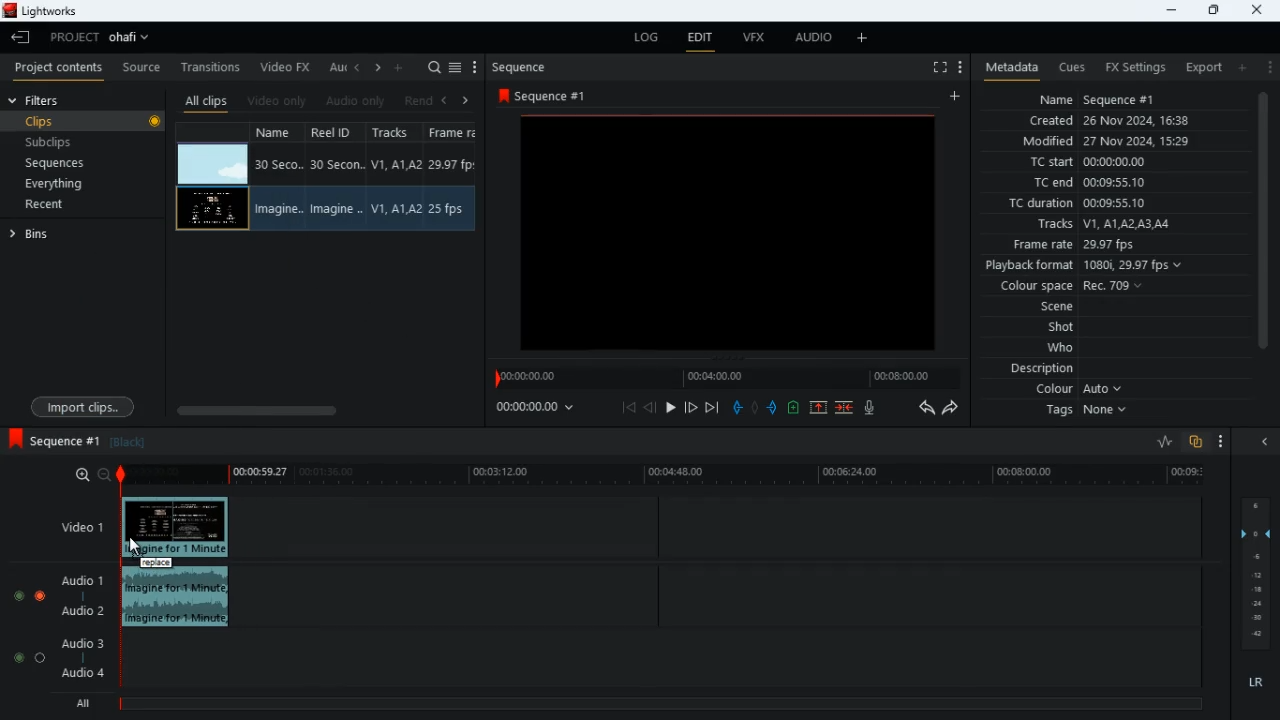  What do you see at coordinates (650, 408) in the screenshot?
I see `back` at bounding box center [650, 408].